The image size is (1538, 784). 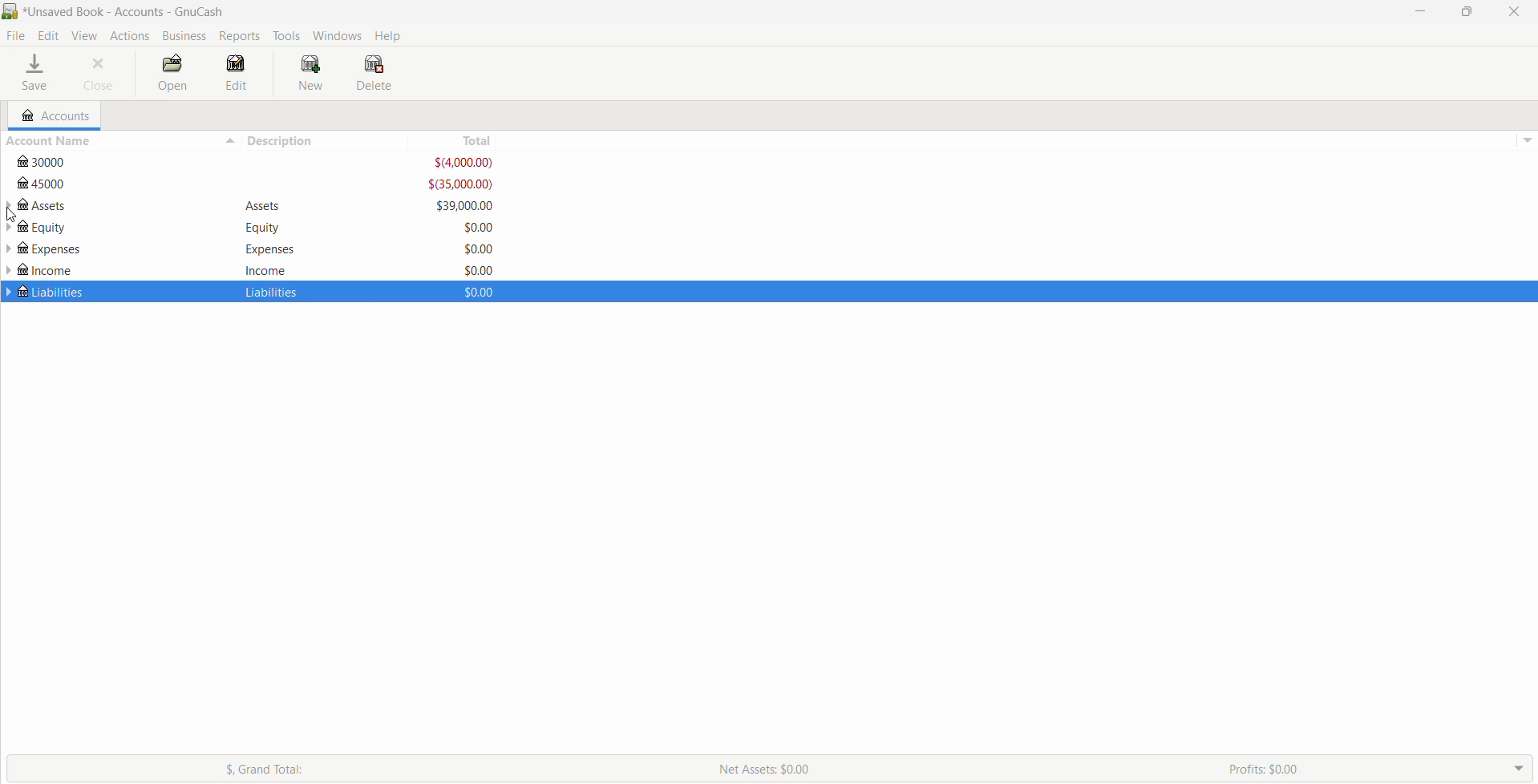 I want to click on $0.00, so click(x=479, y=270).